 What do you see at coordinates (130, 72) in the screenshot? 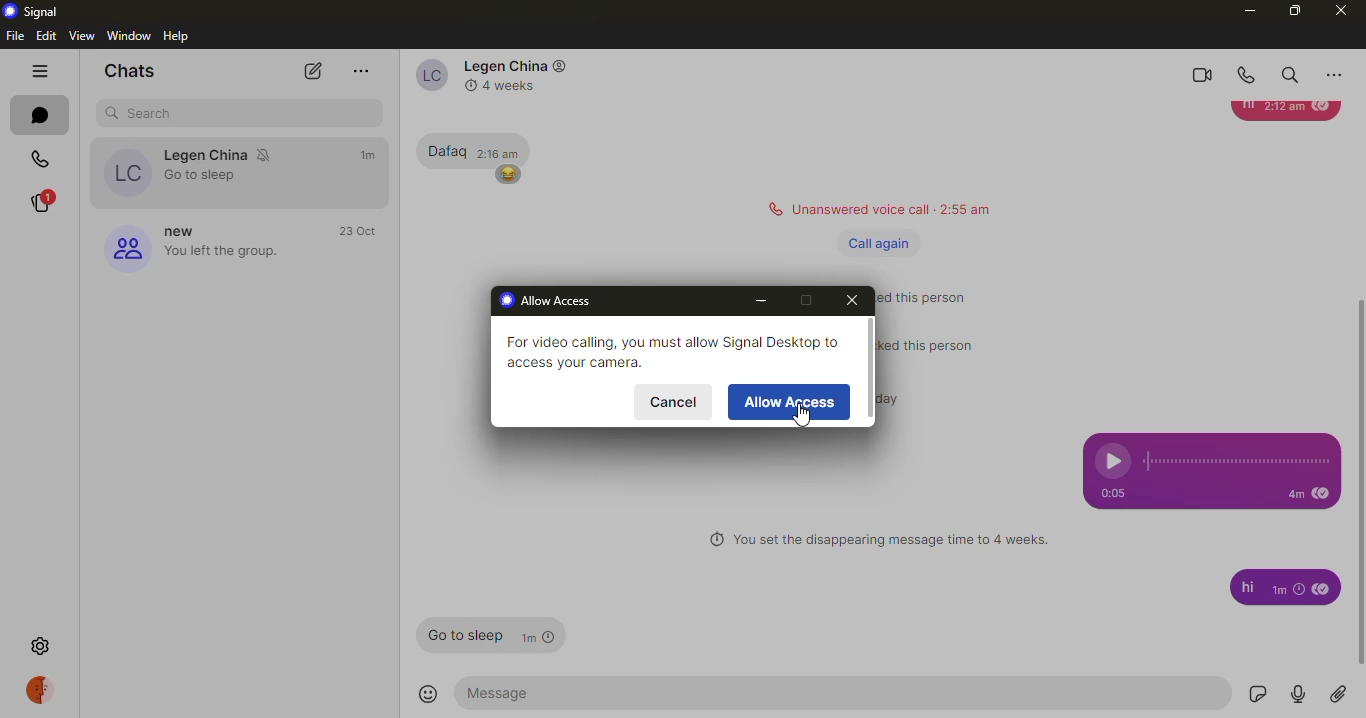
I see `chats` at bounding box center [130, 72].